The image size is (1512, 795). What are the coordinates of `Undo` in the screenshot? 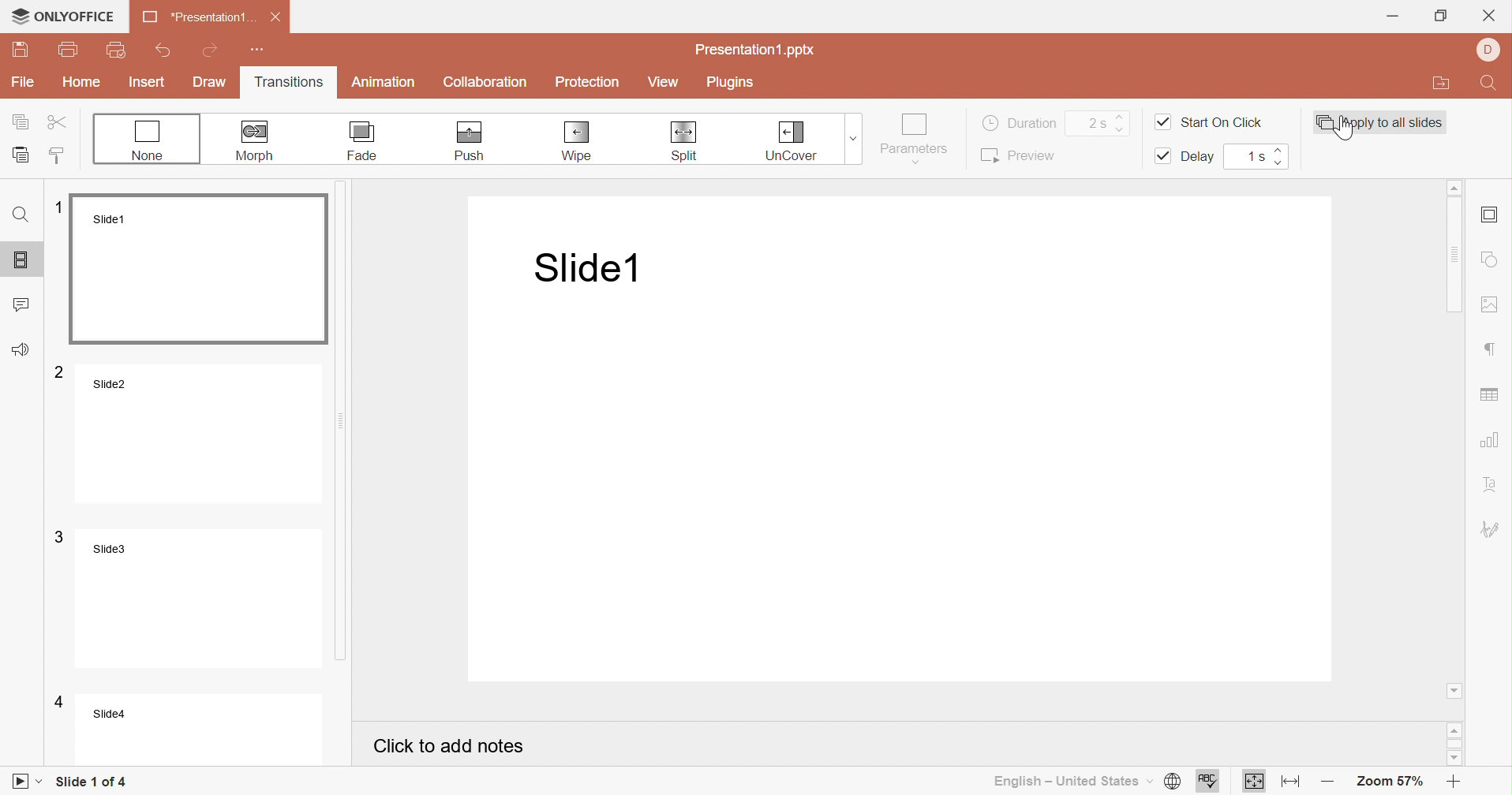 It's located at (166, 47).